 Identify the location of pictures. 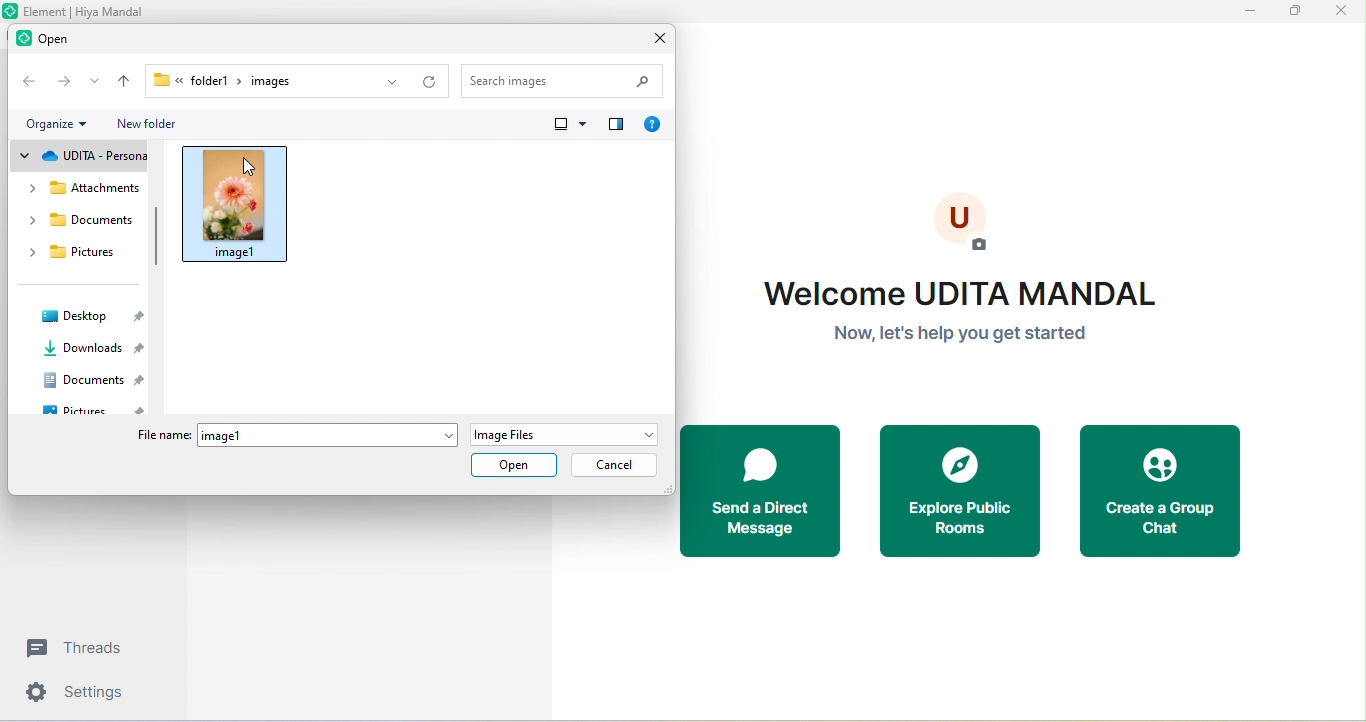
(76, 256).